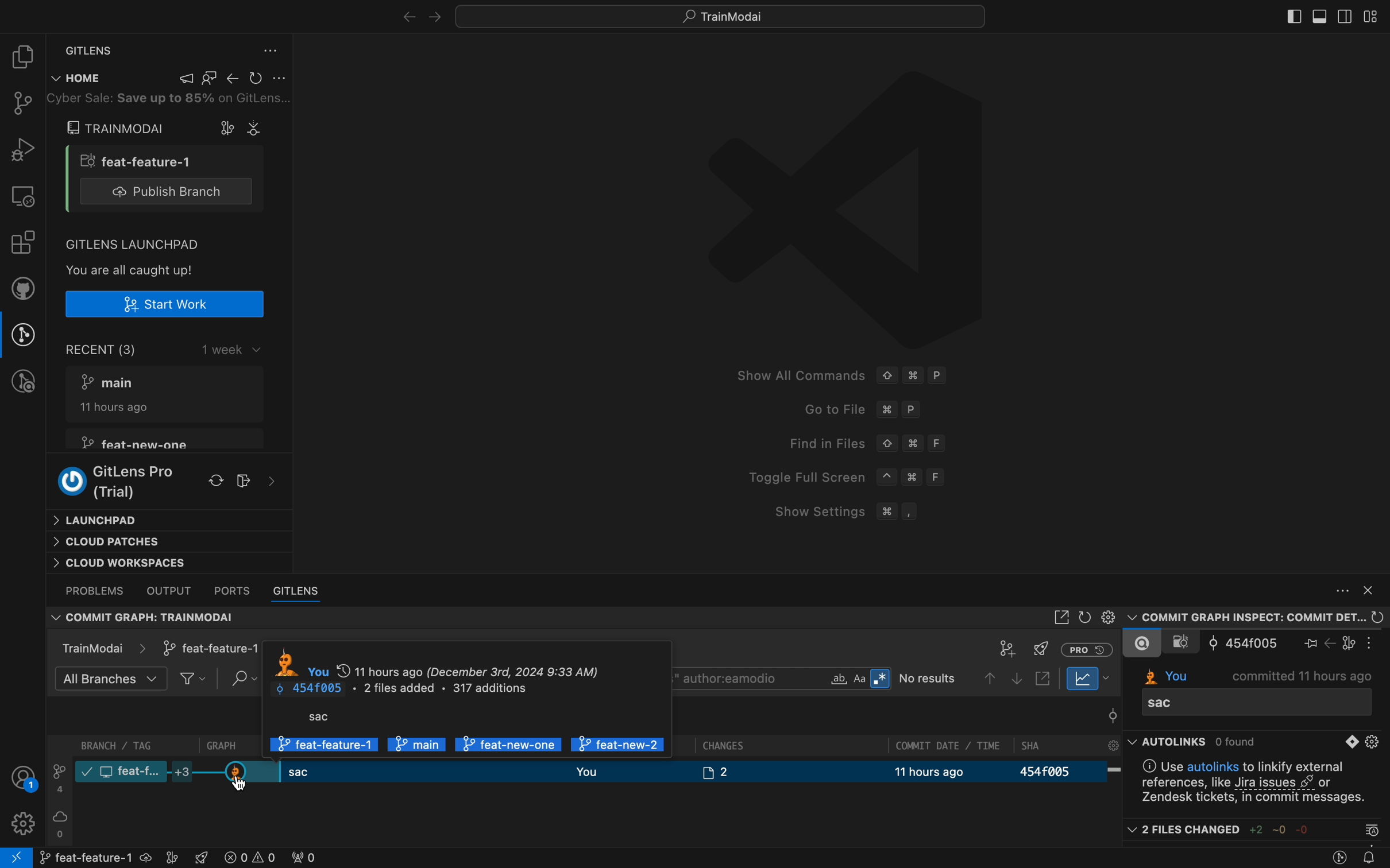 The width and height of the screenshot is (1390, 868). Describe the element at coordinates (210, 77) in the screenshot. I see `` at that location.